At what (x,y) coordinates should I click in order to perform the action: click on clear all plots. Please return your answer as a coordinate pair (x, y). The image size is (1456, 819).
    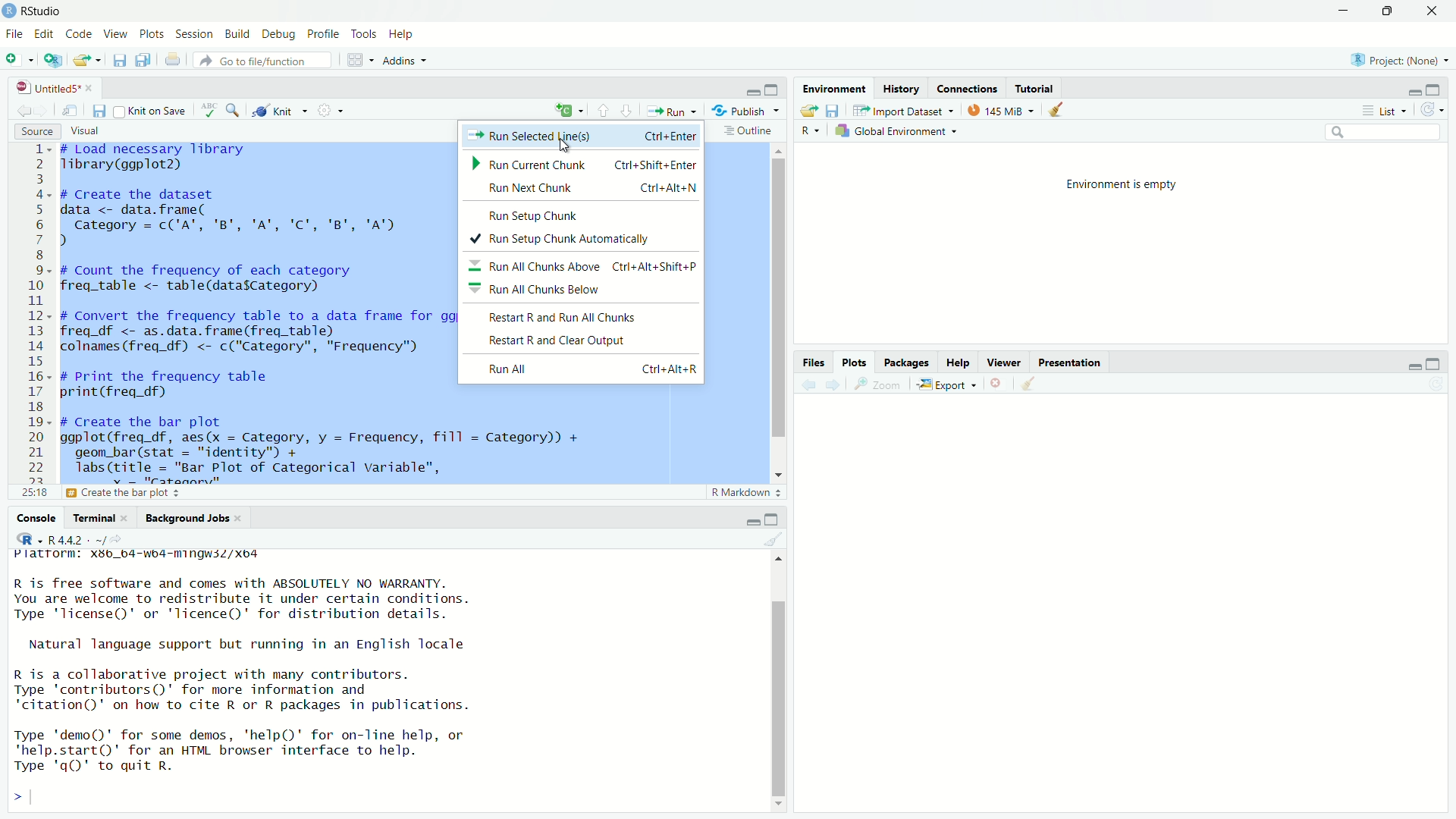
    Looking at the image, I should click on (1030, 384).